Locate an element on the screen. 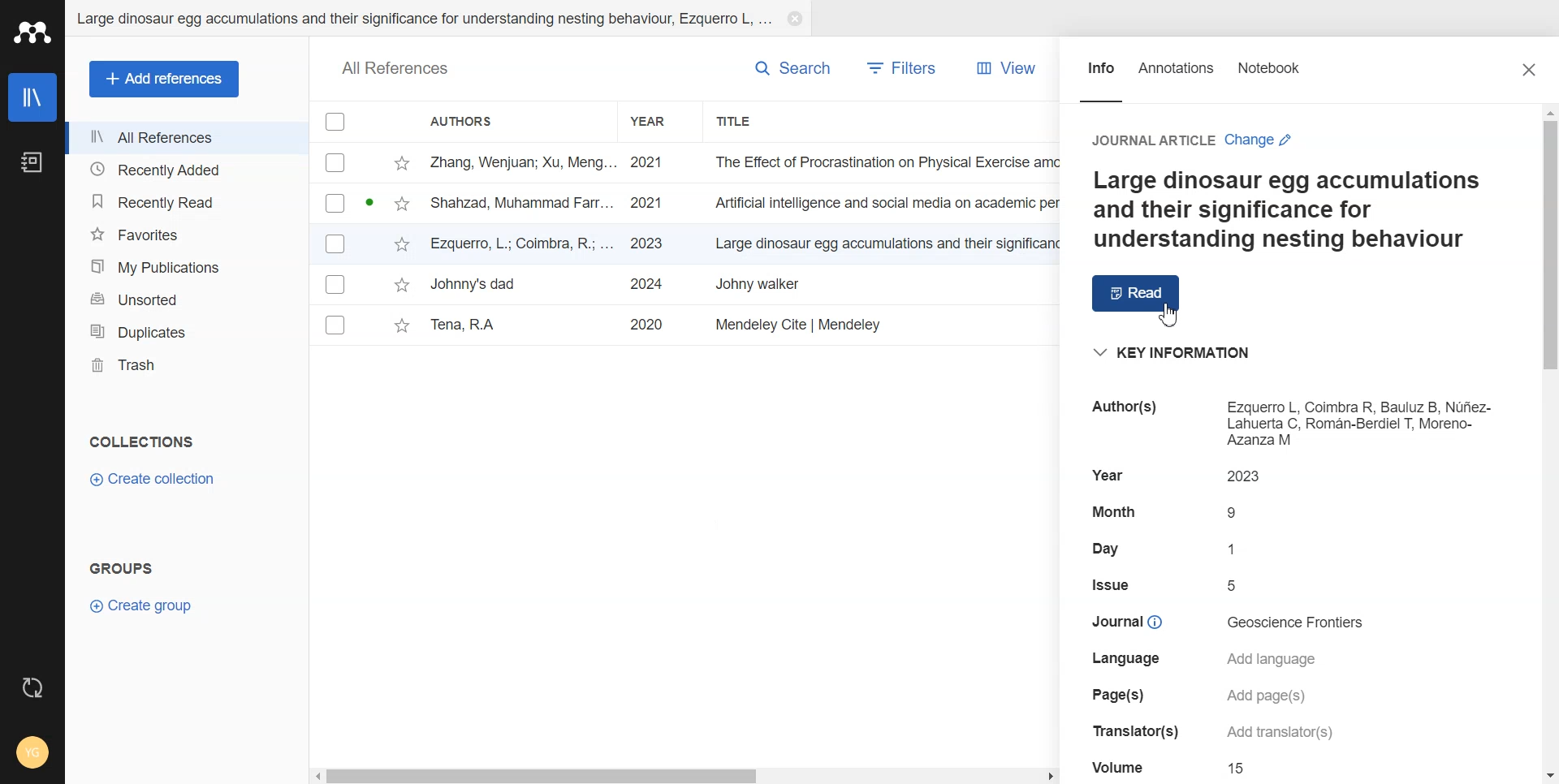 The height and width of the screenshot is (784, 1559). checkbox is located at coordinates (338, 165).